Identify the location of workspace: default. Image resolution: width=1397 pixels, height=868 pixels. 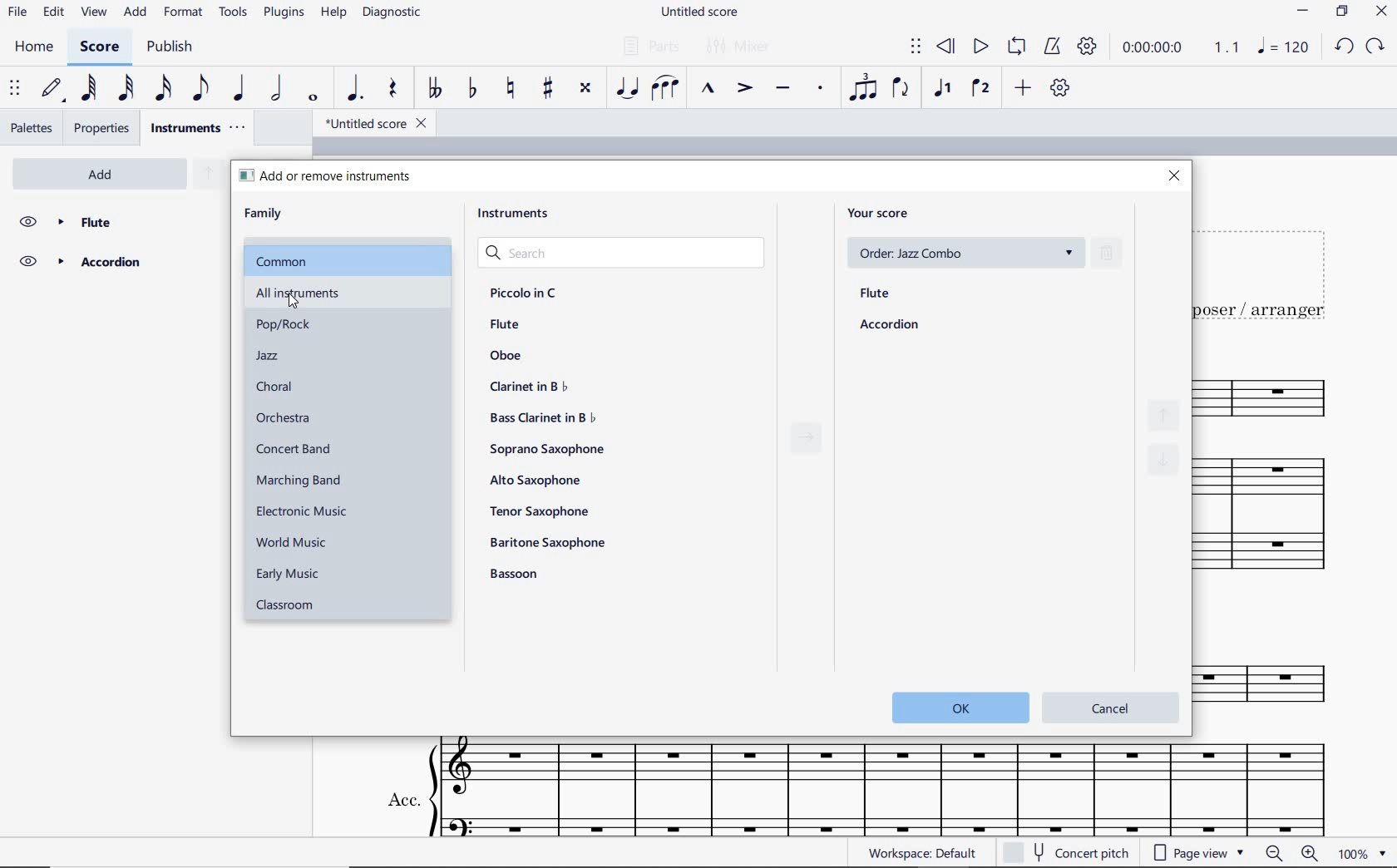
(920, 852).